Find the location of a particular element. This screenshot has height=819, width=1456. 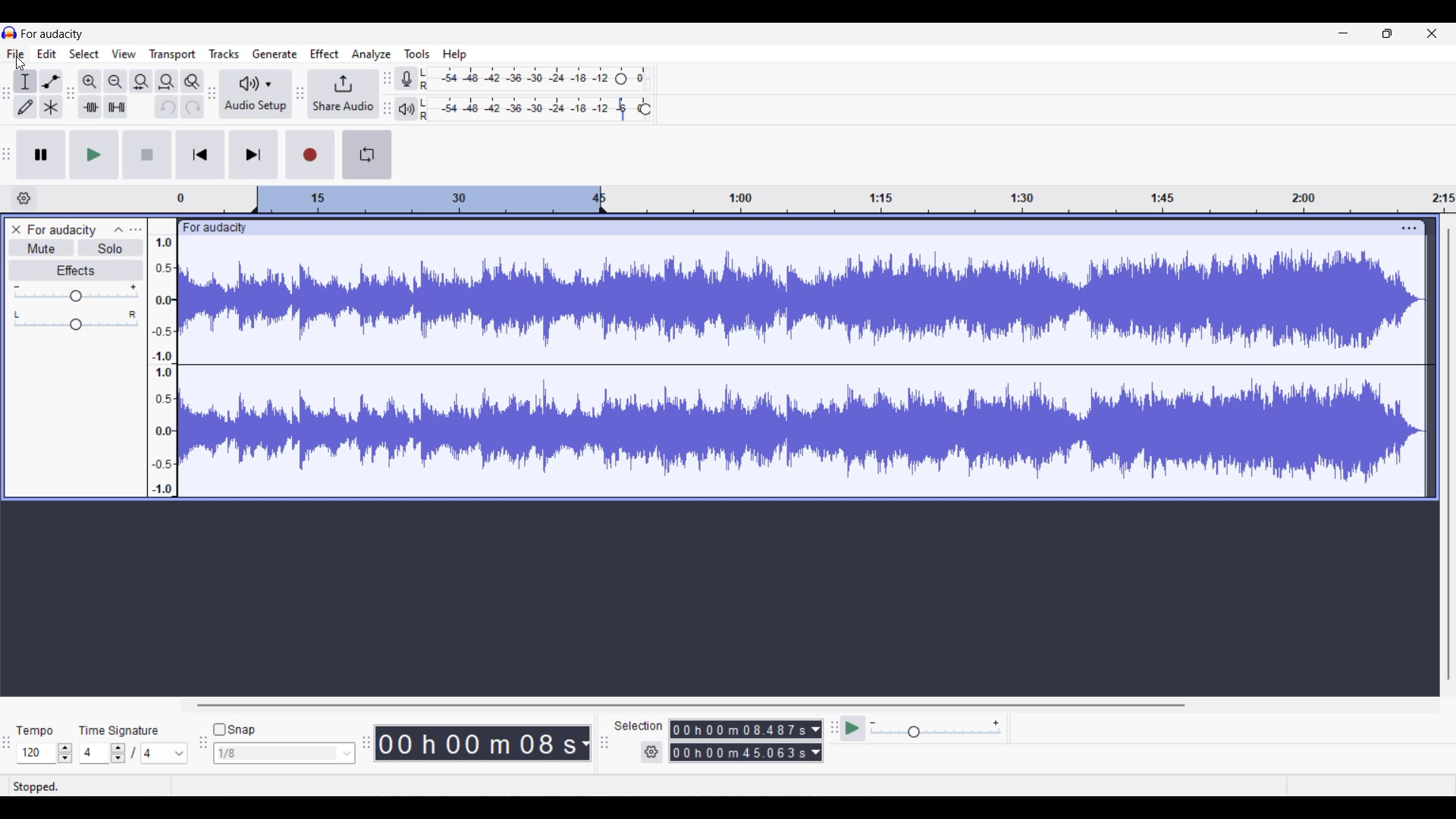

Increase/Decrease tempo is located at coordinates (65, 753).